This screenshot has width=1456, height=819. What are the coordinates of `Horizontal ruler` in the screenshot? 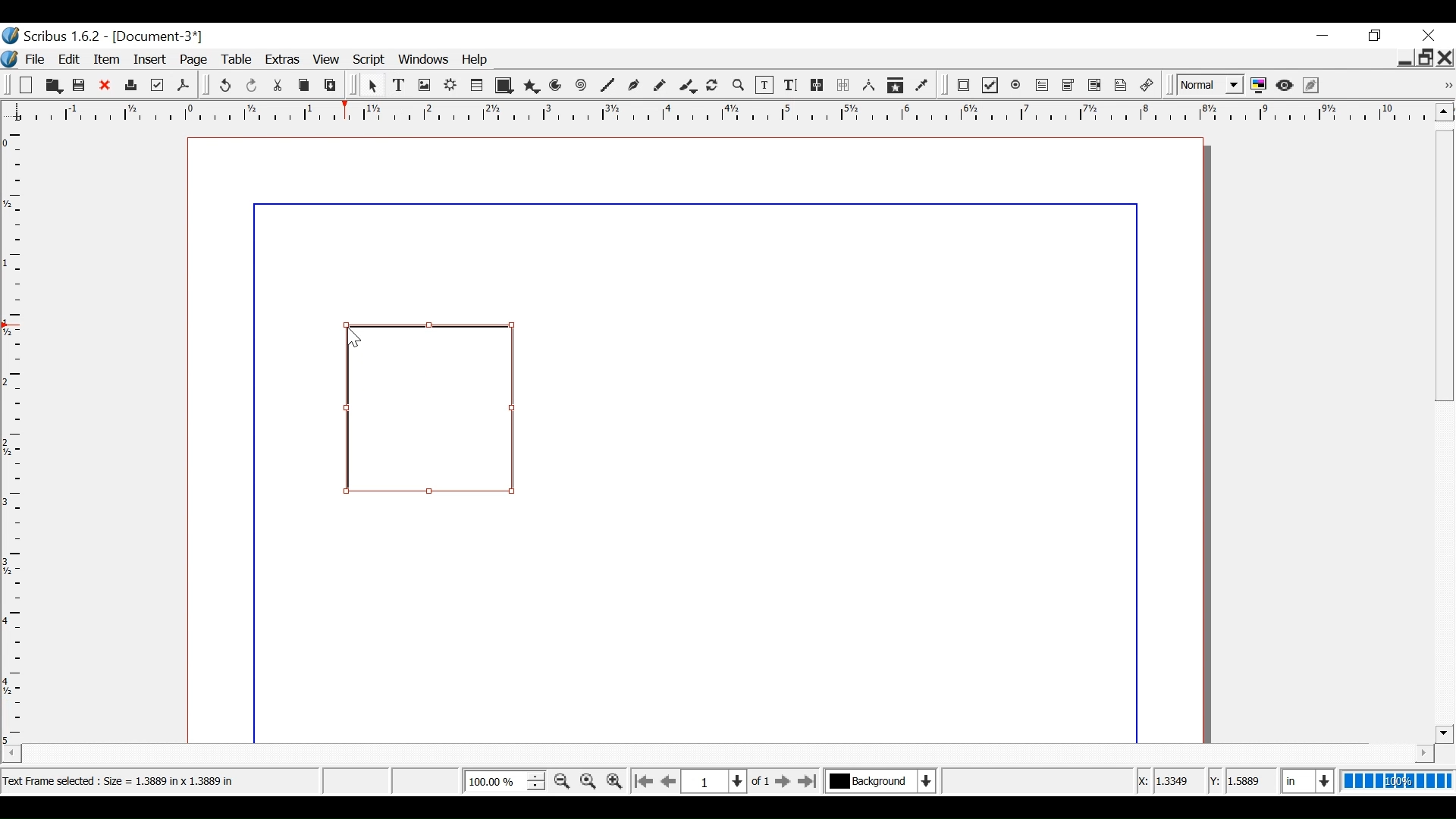 It's located at (714, 112).